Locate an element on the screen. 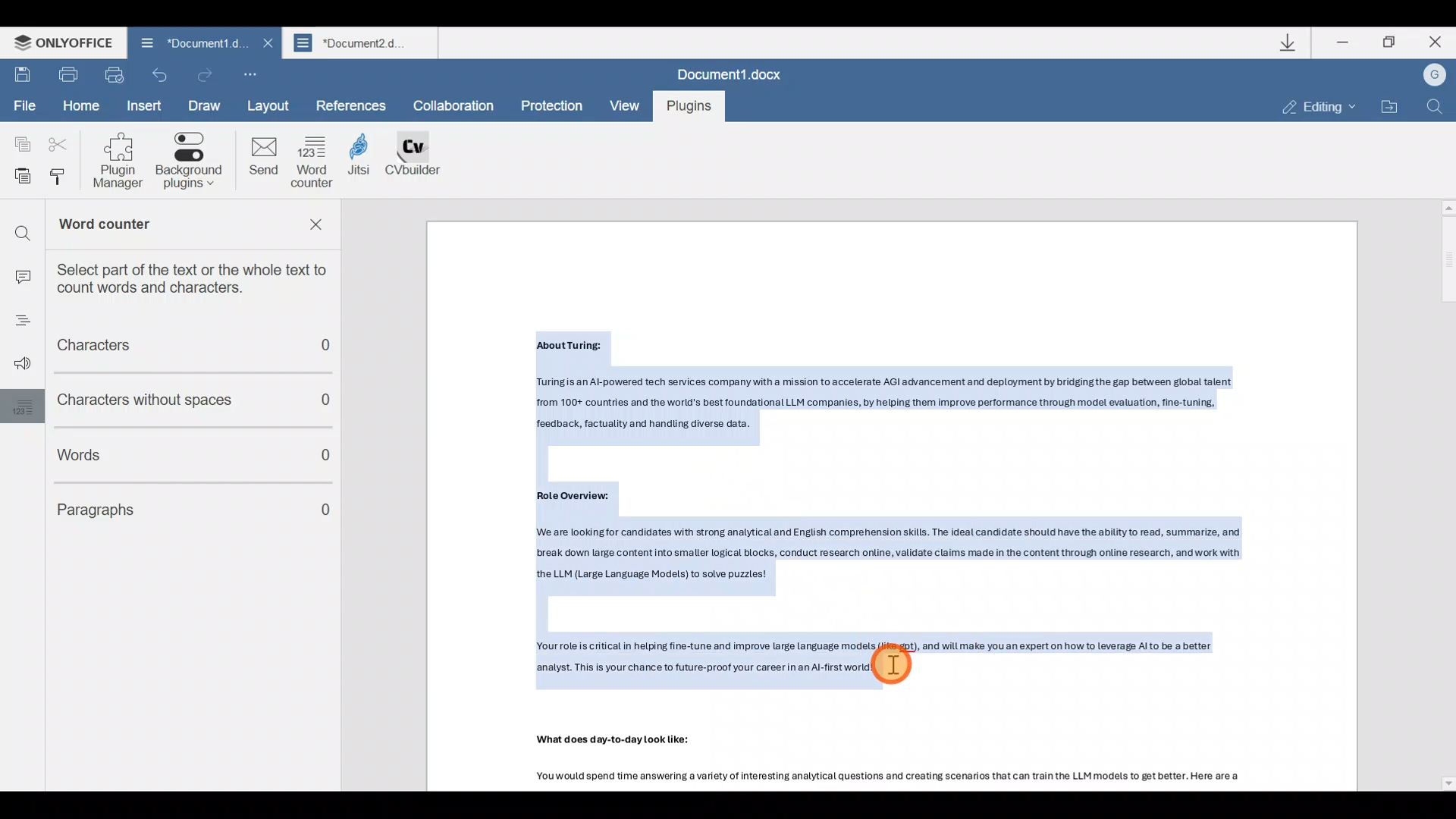  References is located at coordinates (352, 104).